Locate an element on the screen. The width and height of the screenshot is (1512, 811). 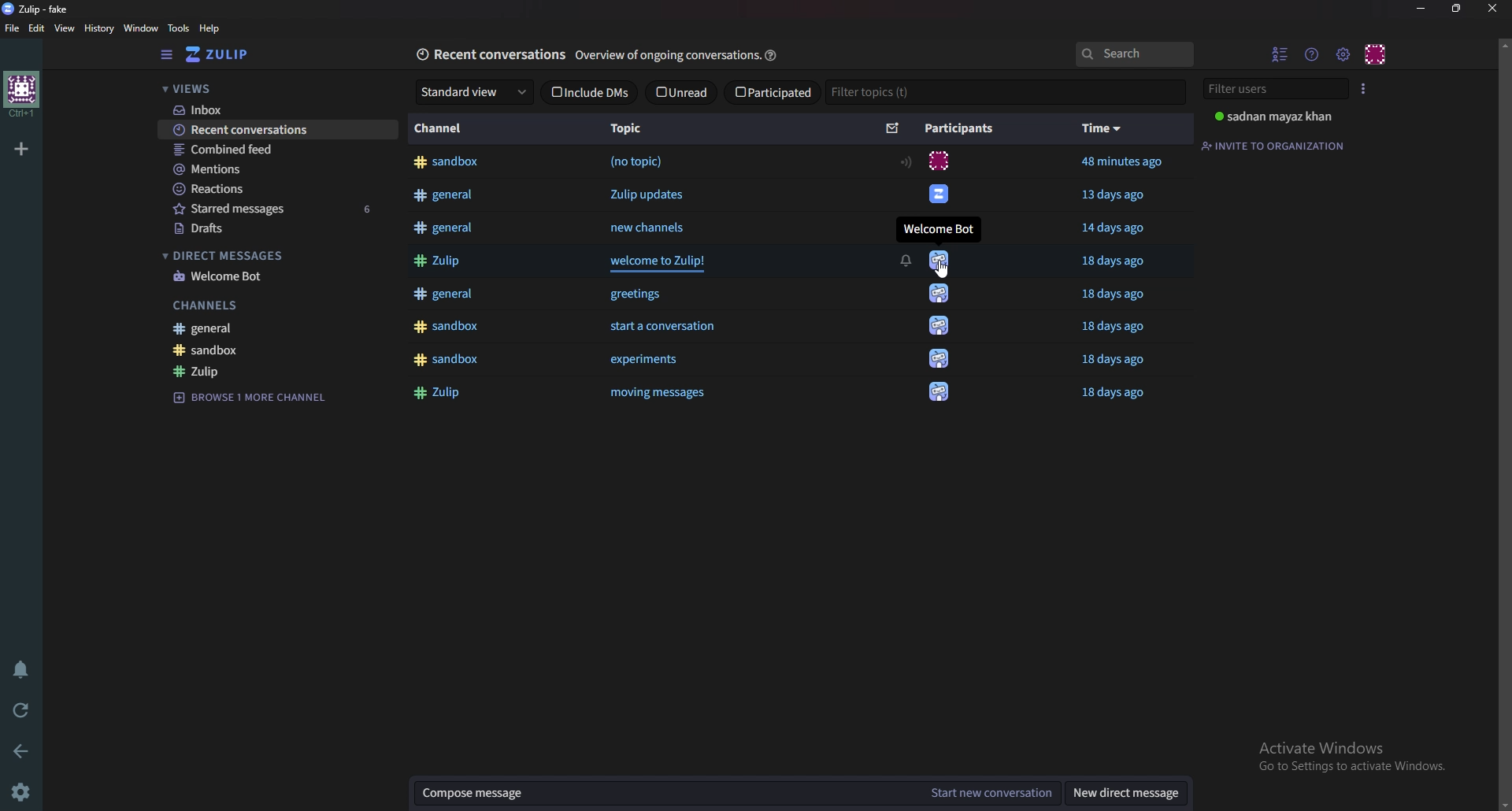
zulip is located at coordinates (277, 371).